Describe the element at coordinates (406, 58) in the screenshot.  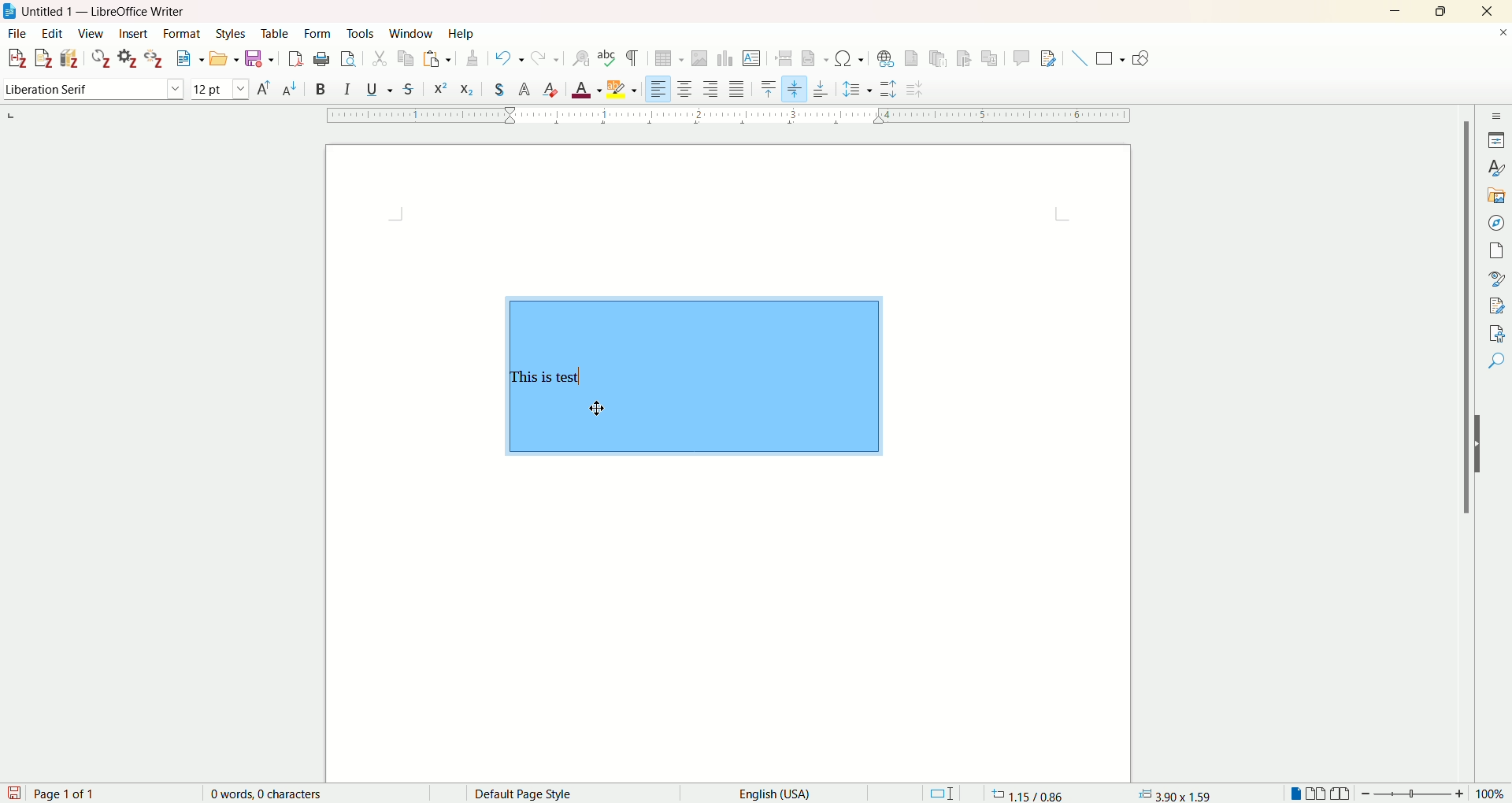
I see `copy` at that location.